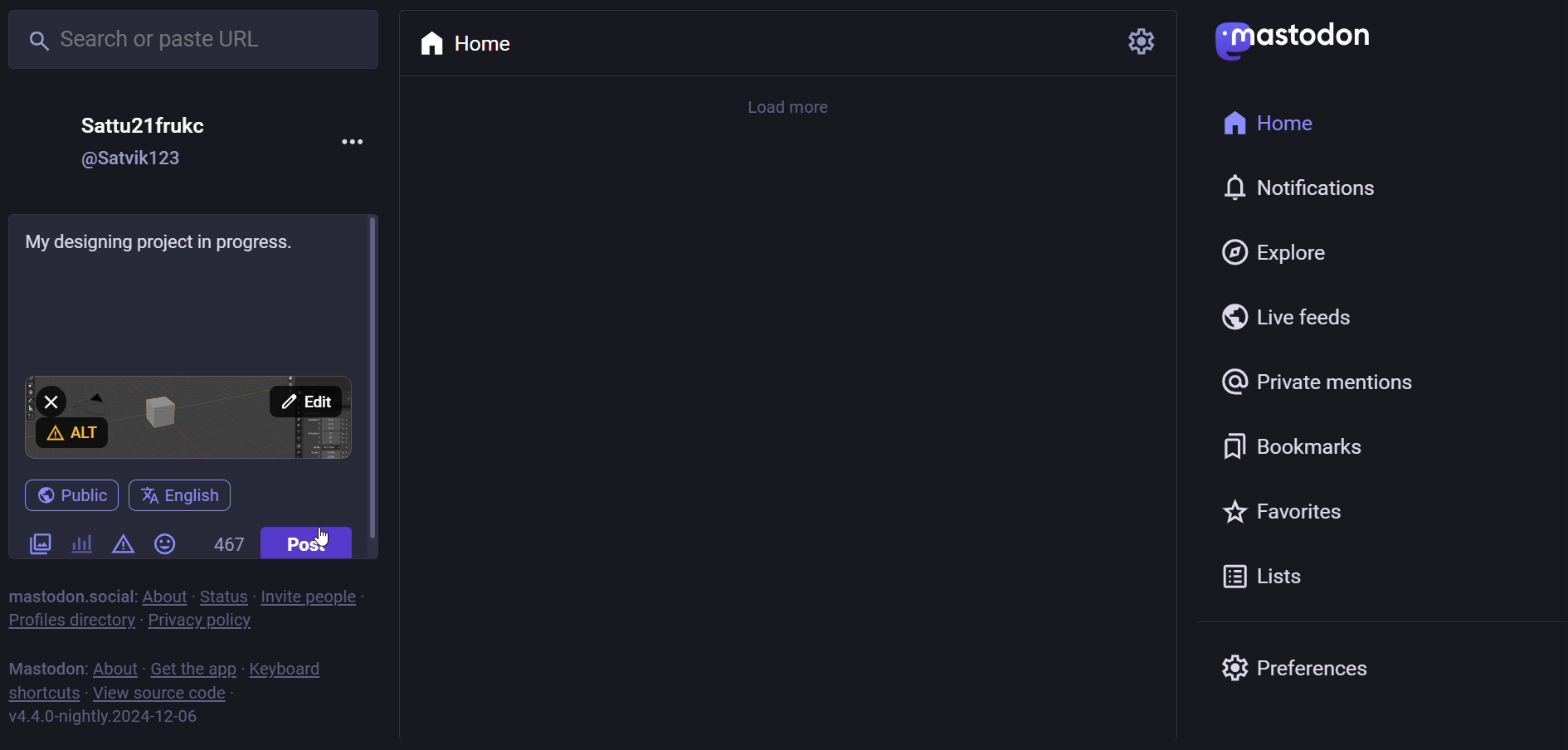 This screenshot has width=1568, height=750. Describe the element at coordinates (306, 401) in the screenshot. I see `edit` at that location.